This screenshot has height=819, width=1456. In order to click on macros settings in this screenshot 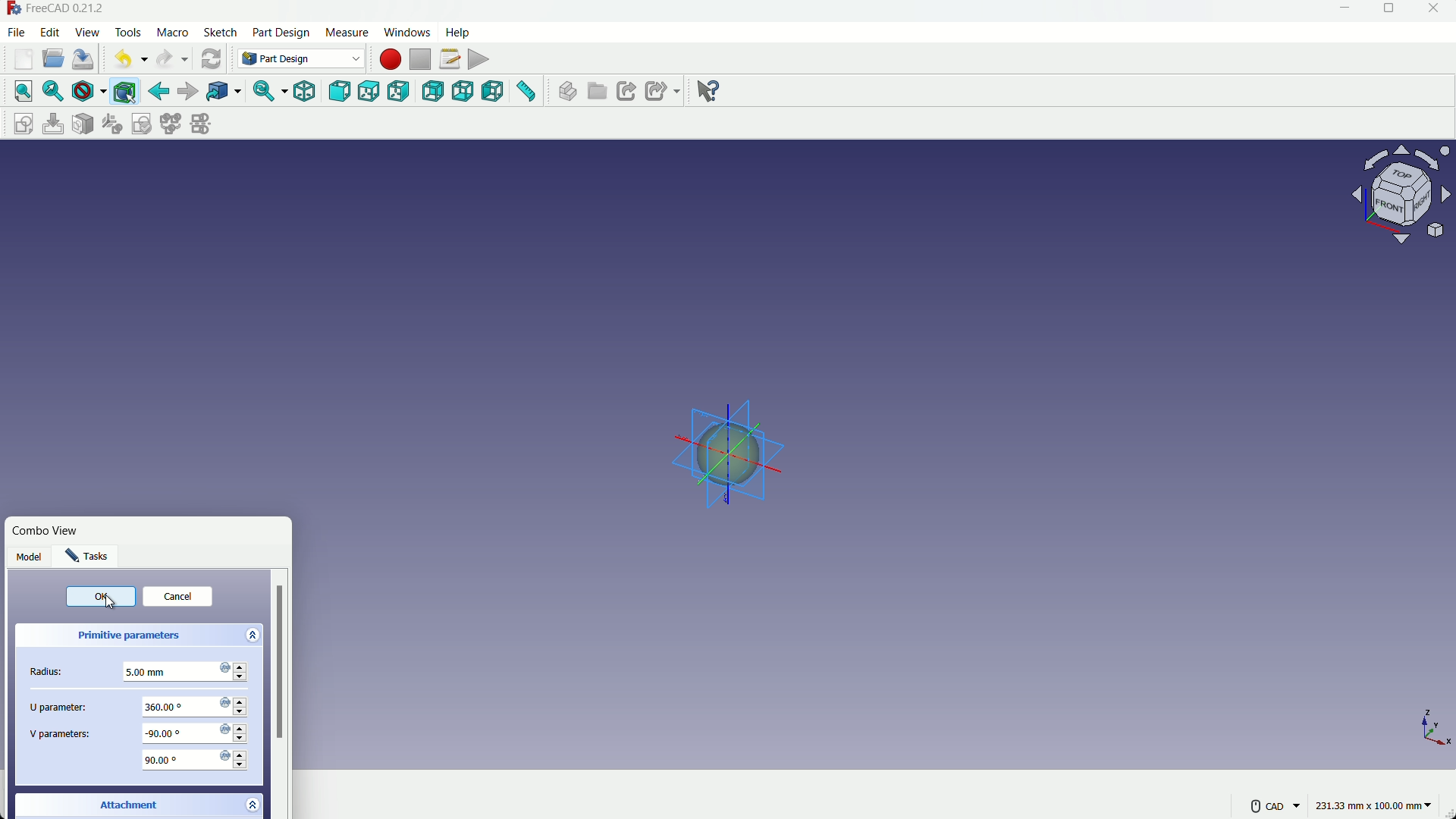, I will do `click(450, 59)`.